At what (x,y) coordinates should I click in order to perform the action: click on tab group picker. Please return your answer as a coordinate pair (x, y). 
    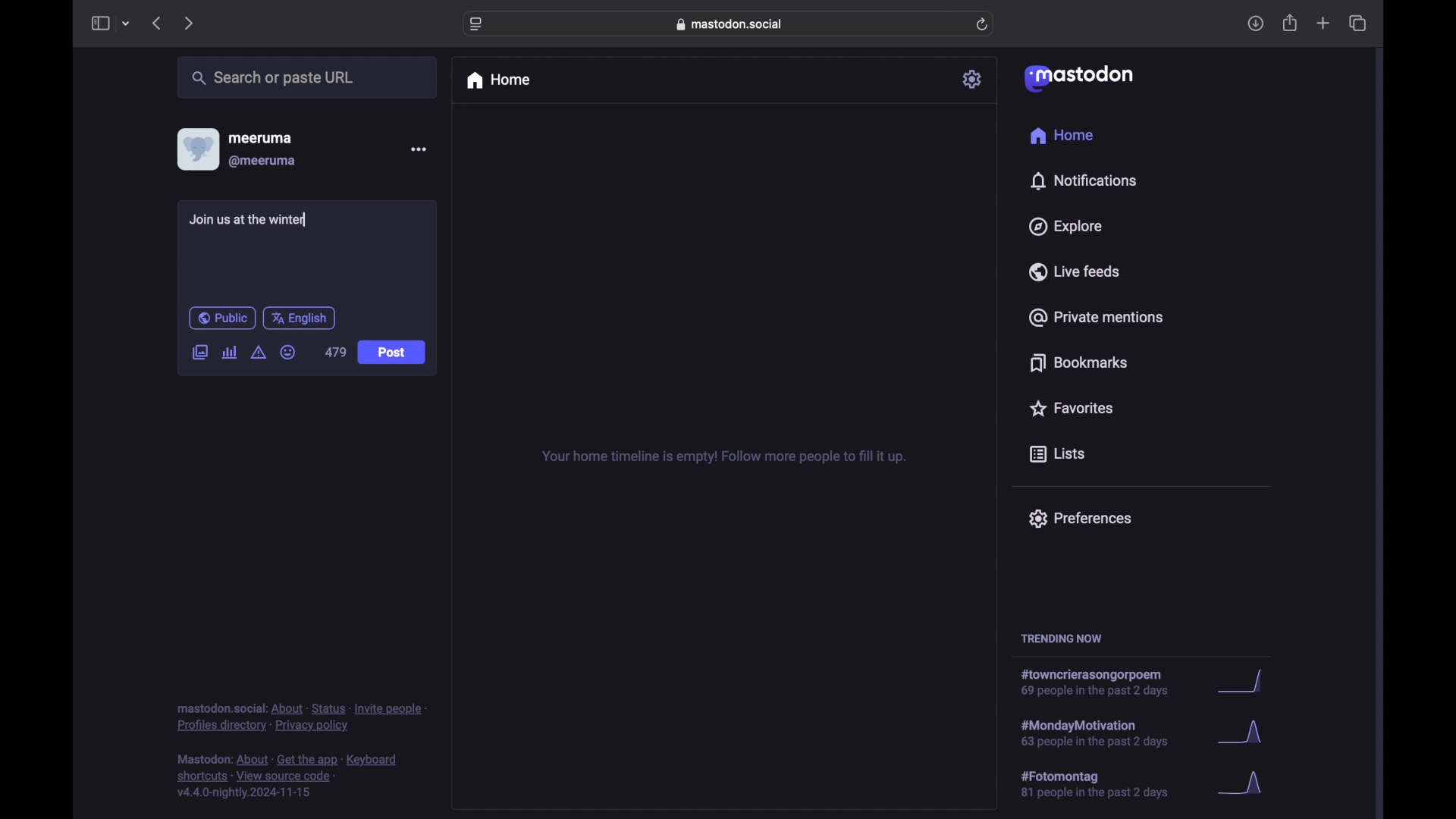
    Looking at the image, I should click on (126, 24).